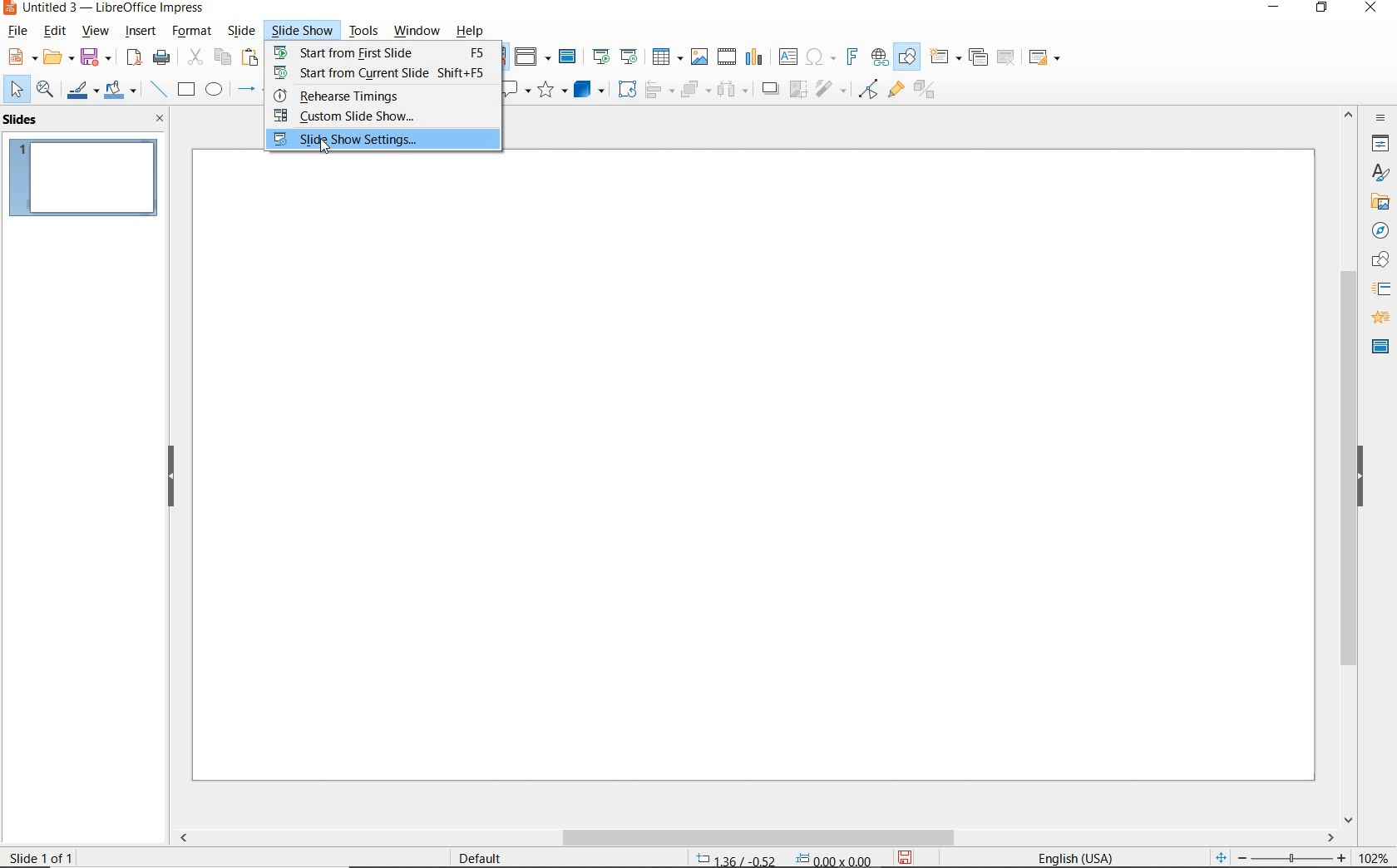 The image size is (1397, 868). Describe the element at coordinates (193, 31) in the screenshot. I see `FORMAT` at that location.